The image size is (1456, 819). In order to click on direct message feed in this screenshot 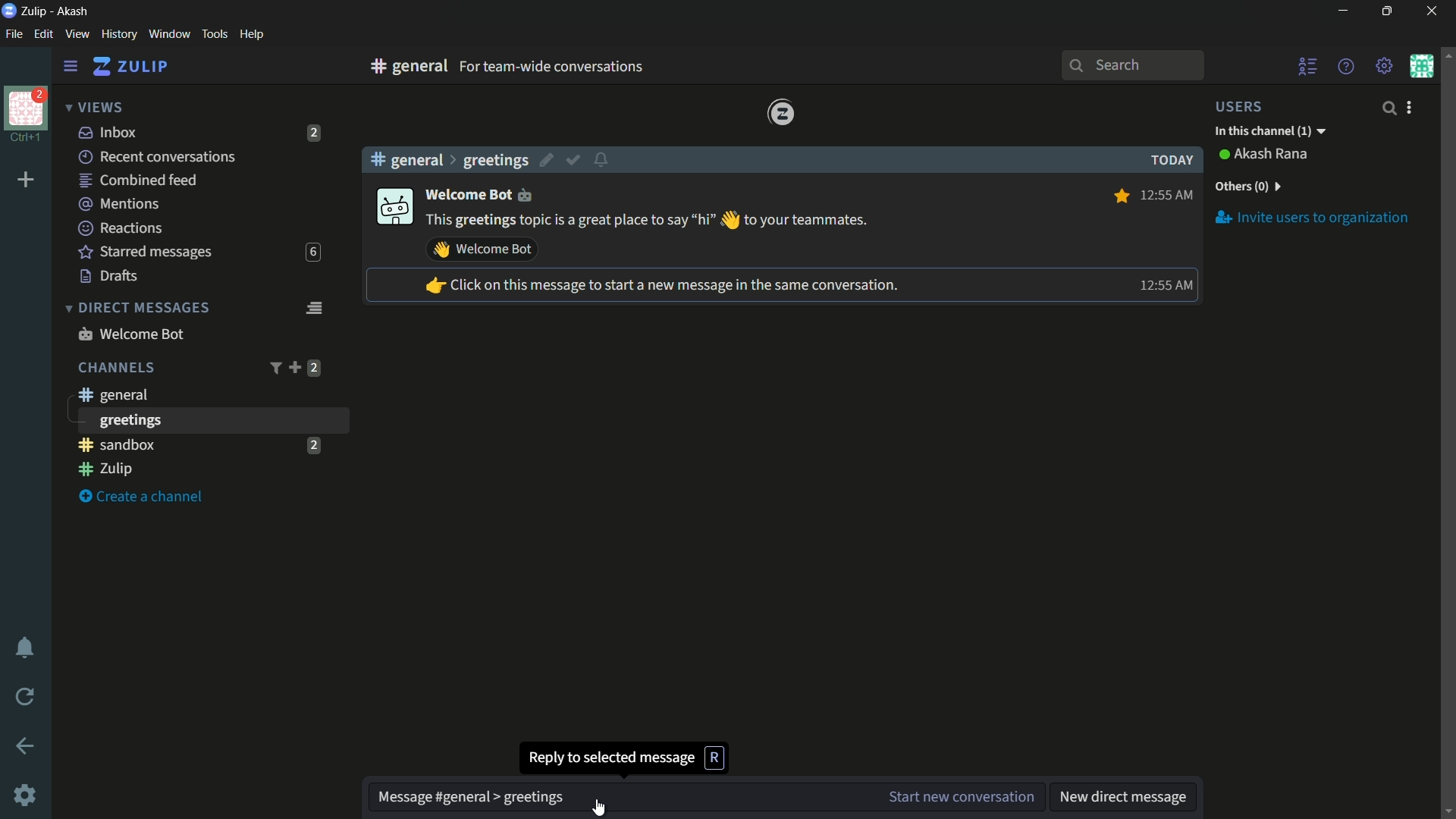, I will do `click(313, 306)`.